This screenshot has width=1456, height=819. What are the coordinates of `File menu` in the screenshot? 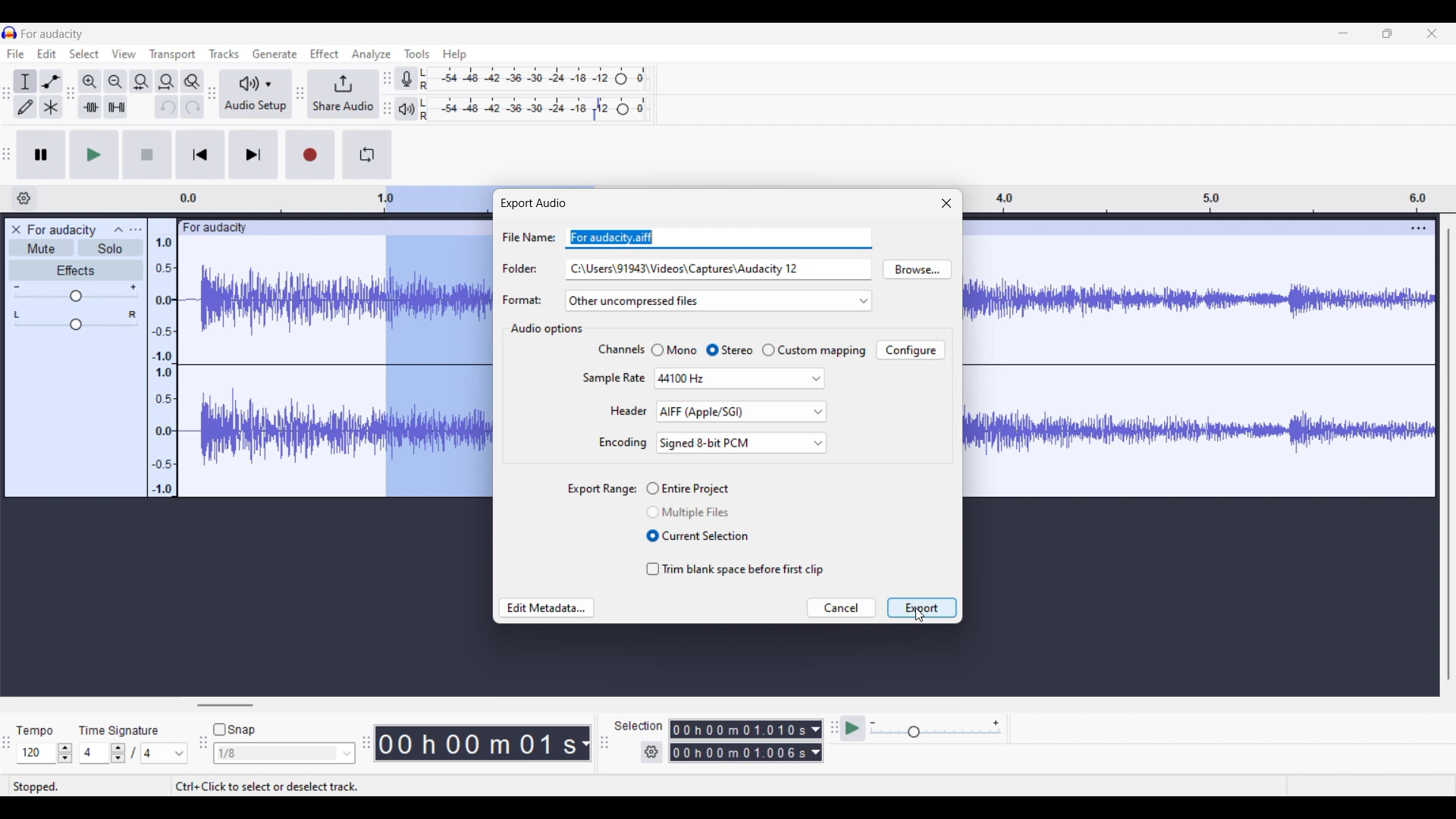 It's located at (16, 54).